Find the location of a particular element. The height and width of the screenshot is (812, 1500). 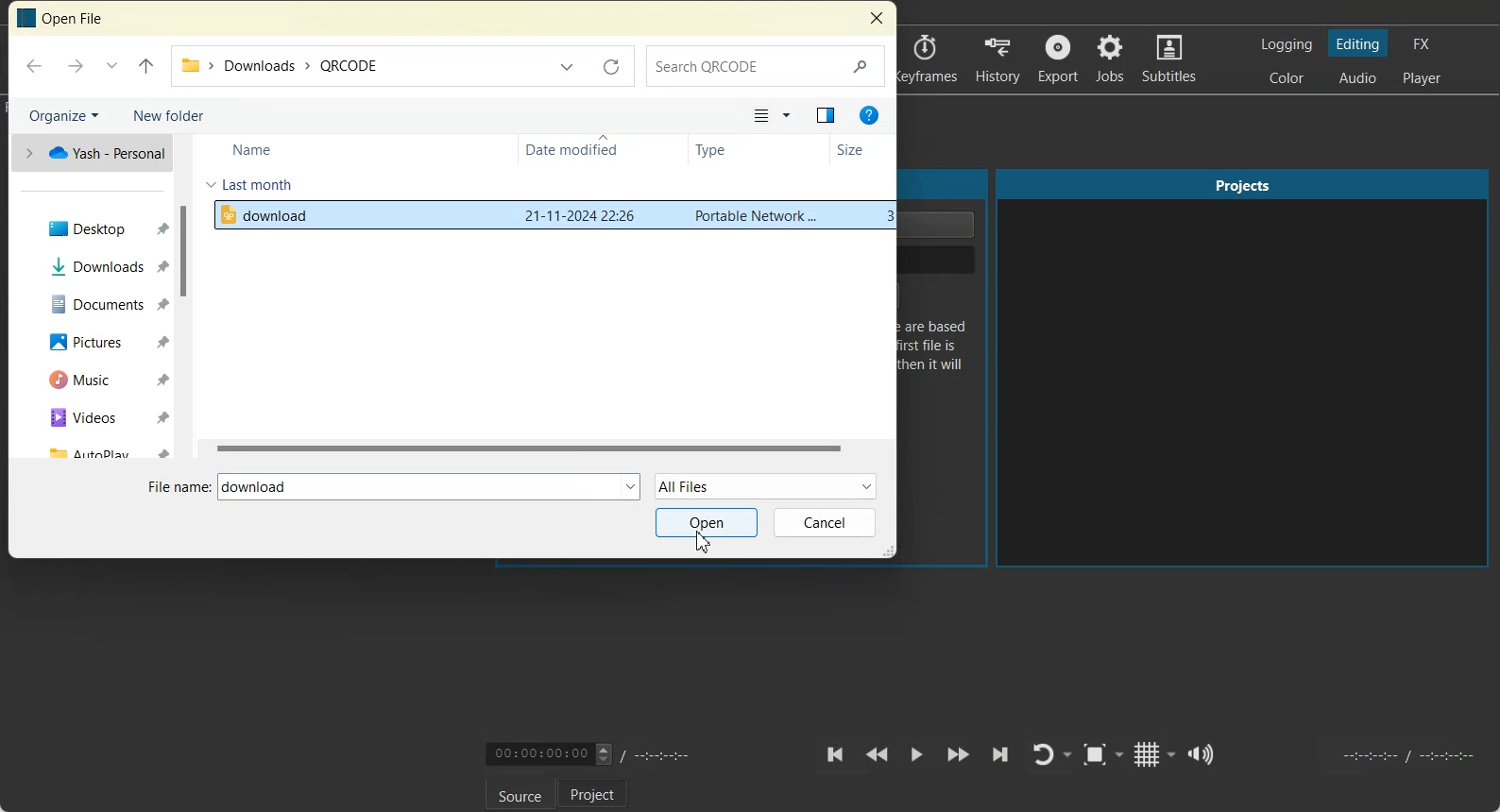

Keyframes is located at coordinates (929, 59).